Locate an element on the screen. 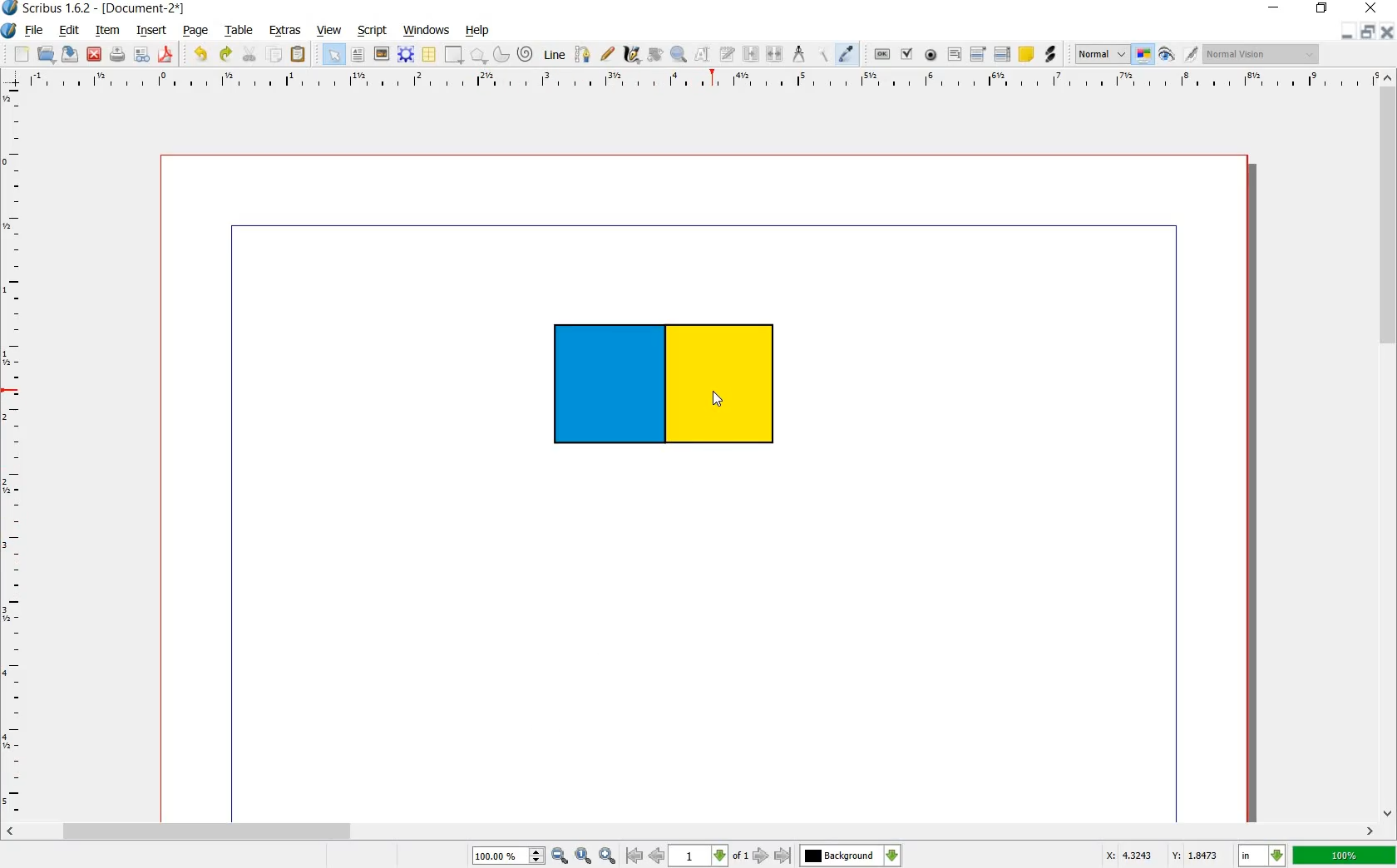 This screenshot has height=868, width=1397. image frame is located at coordinates (381, 55).